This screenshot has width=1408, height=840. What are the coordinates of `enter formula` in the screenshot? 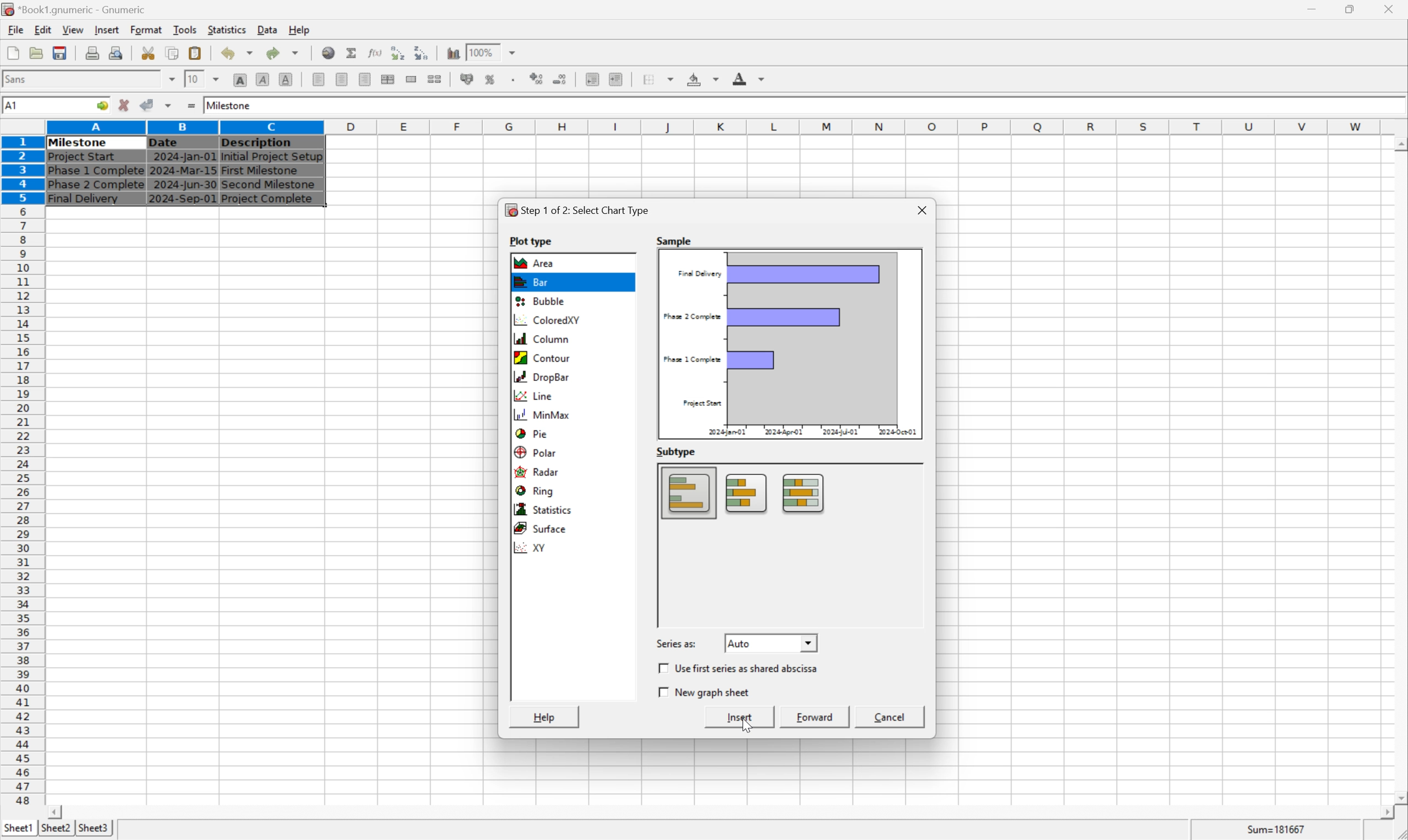 It's located at (190, 106).